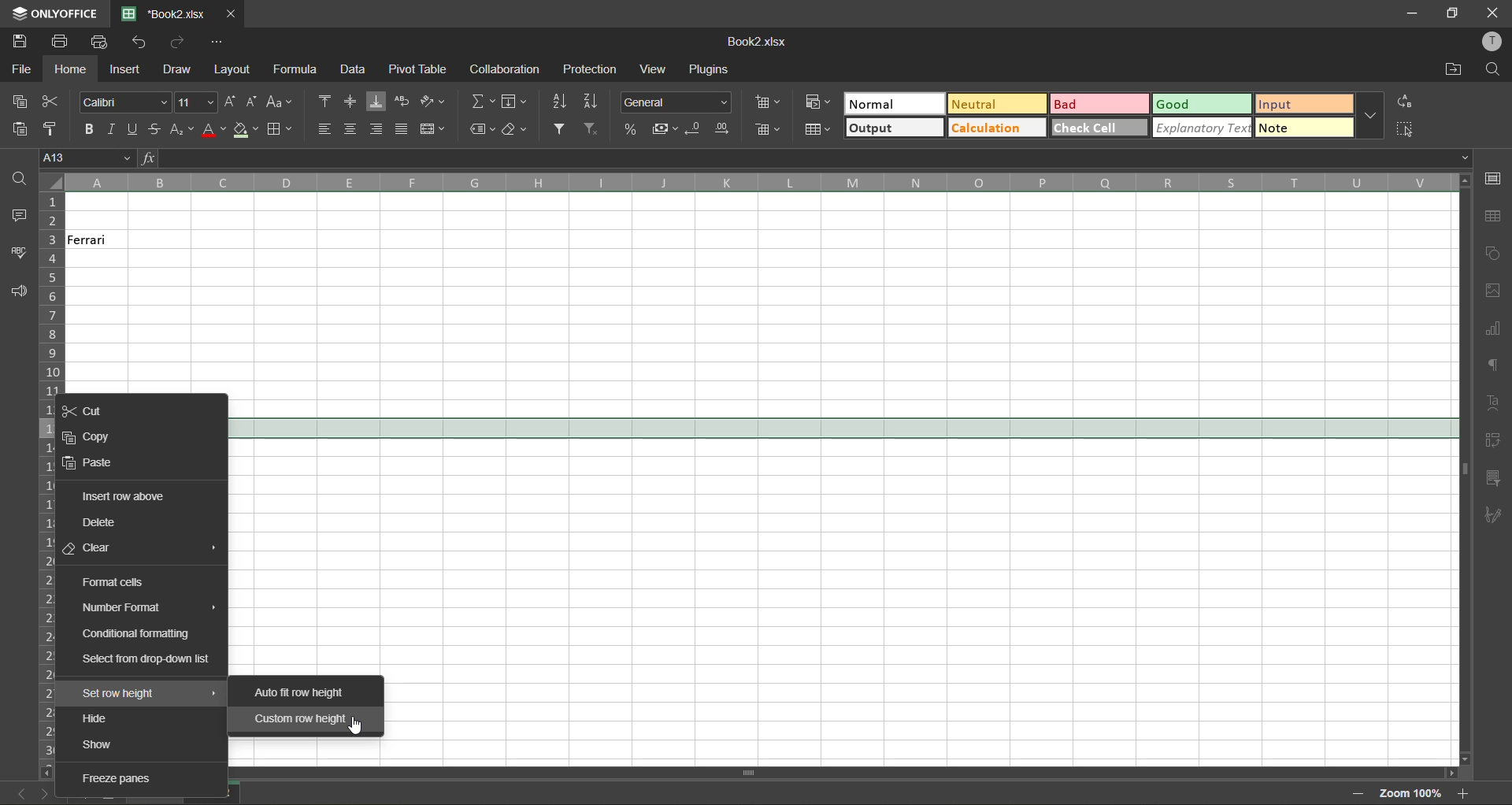 The width and height of the screenshot is (1512, 805). What do you see at coordinates (45, 792) in the screenshot?
I see `next` at bounding box center [45, 792].